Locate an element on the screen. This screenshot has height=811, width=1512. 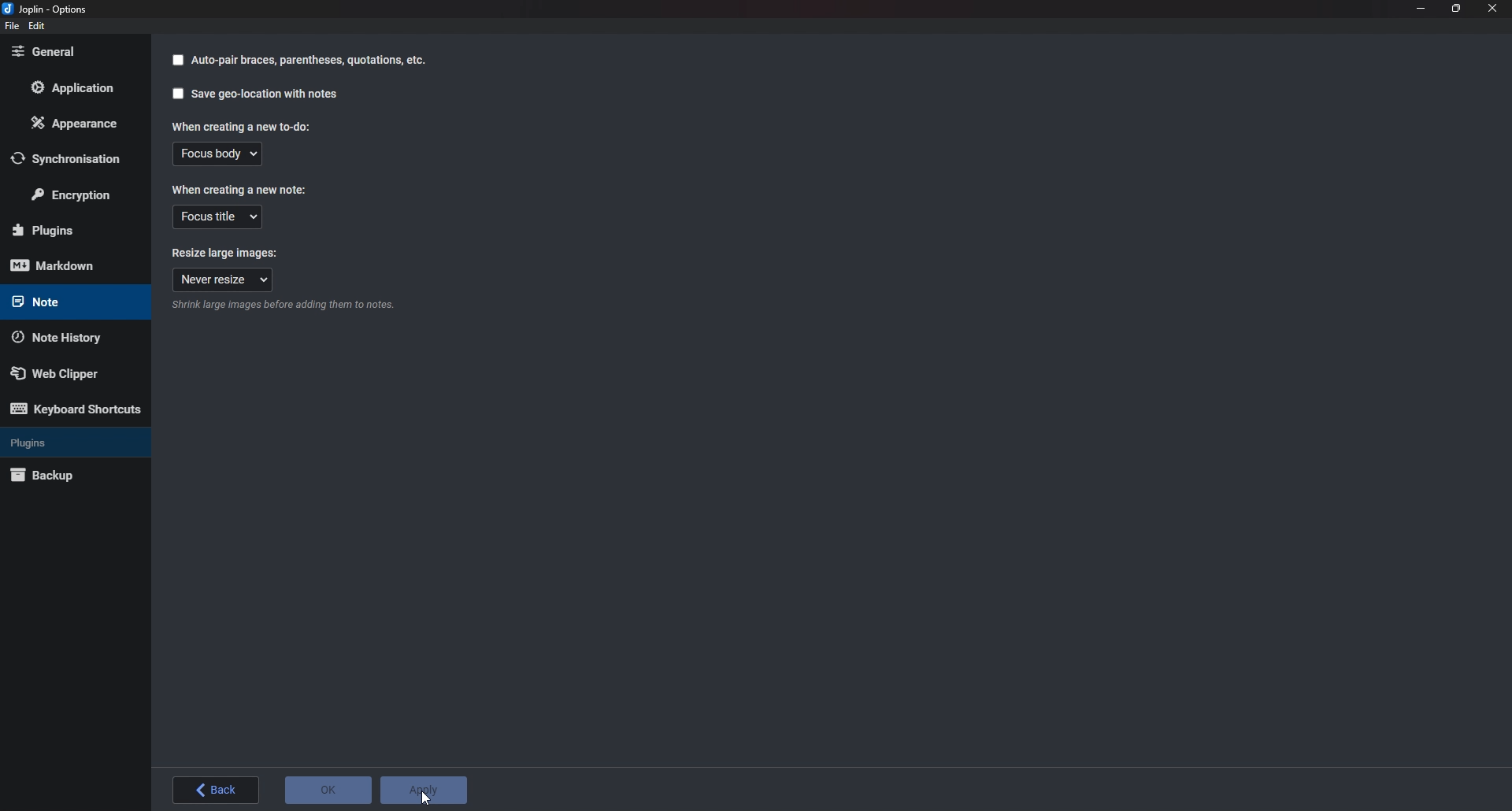
Web Clipper is located at coordinates (69, 372).